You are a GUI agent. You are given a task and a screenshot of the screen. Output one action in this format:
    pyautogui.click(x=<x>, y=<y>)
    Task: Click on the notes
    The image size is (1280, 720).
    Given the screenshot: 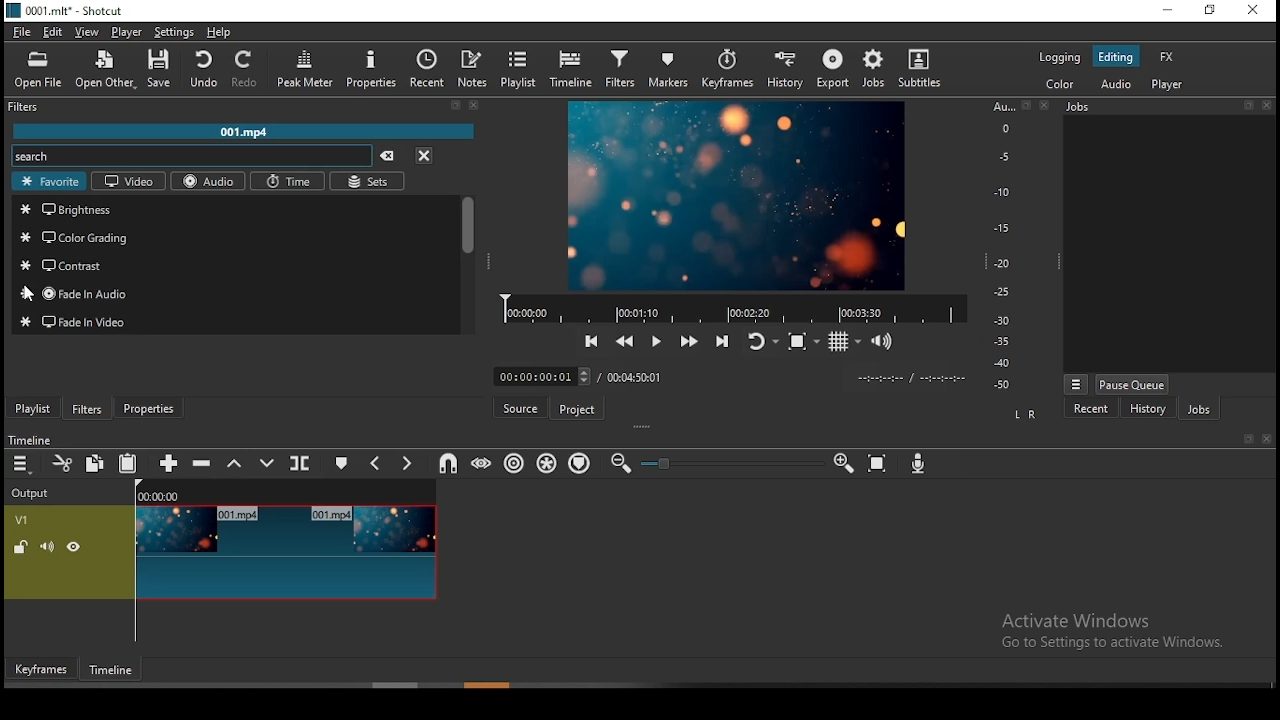 What is the action you would take?
    pyautogui.click(x=475, y=68)
    